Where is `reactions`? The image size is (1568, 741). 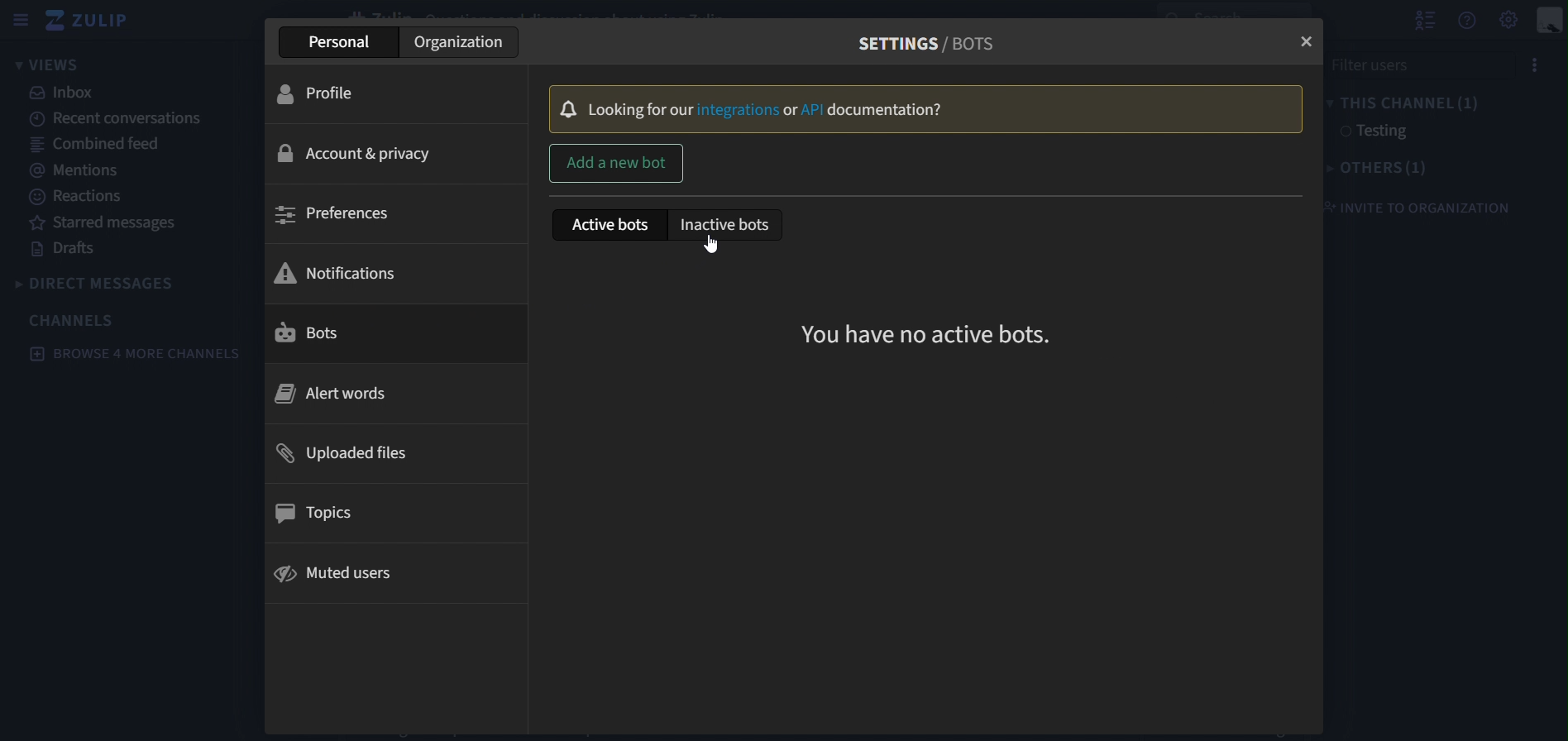 reactions is located at coordinates (83, 197).